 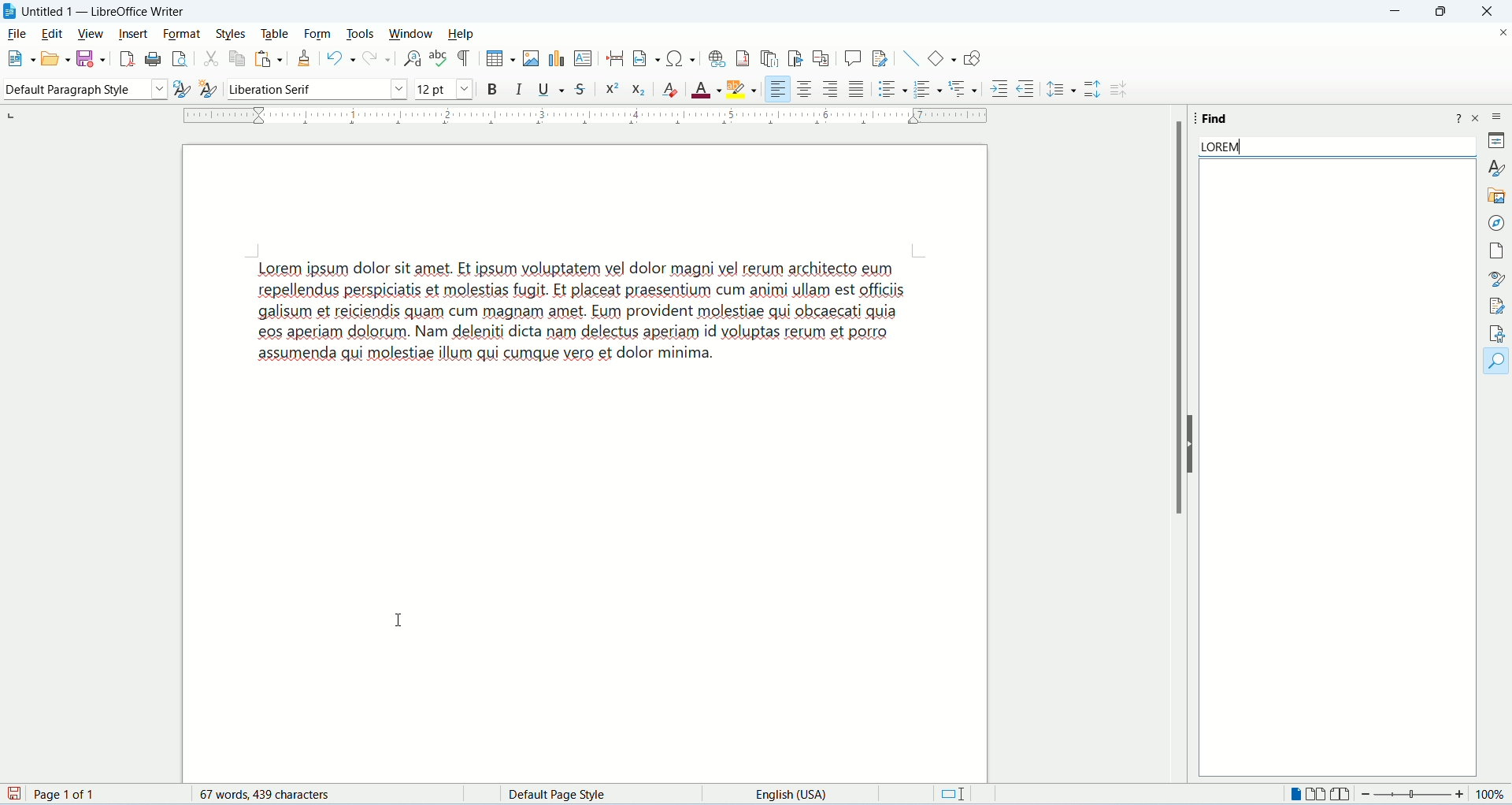 I want to click on save, so click(x=91, y=59).